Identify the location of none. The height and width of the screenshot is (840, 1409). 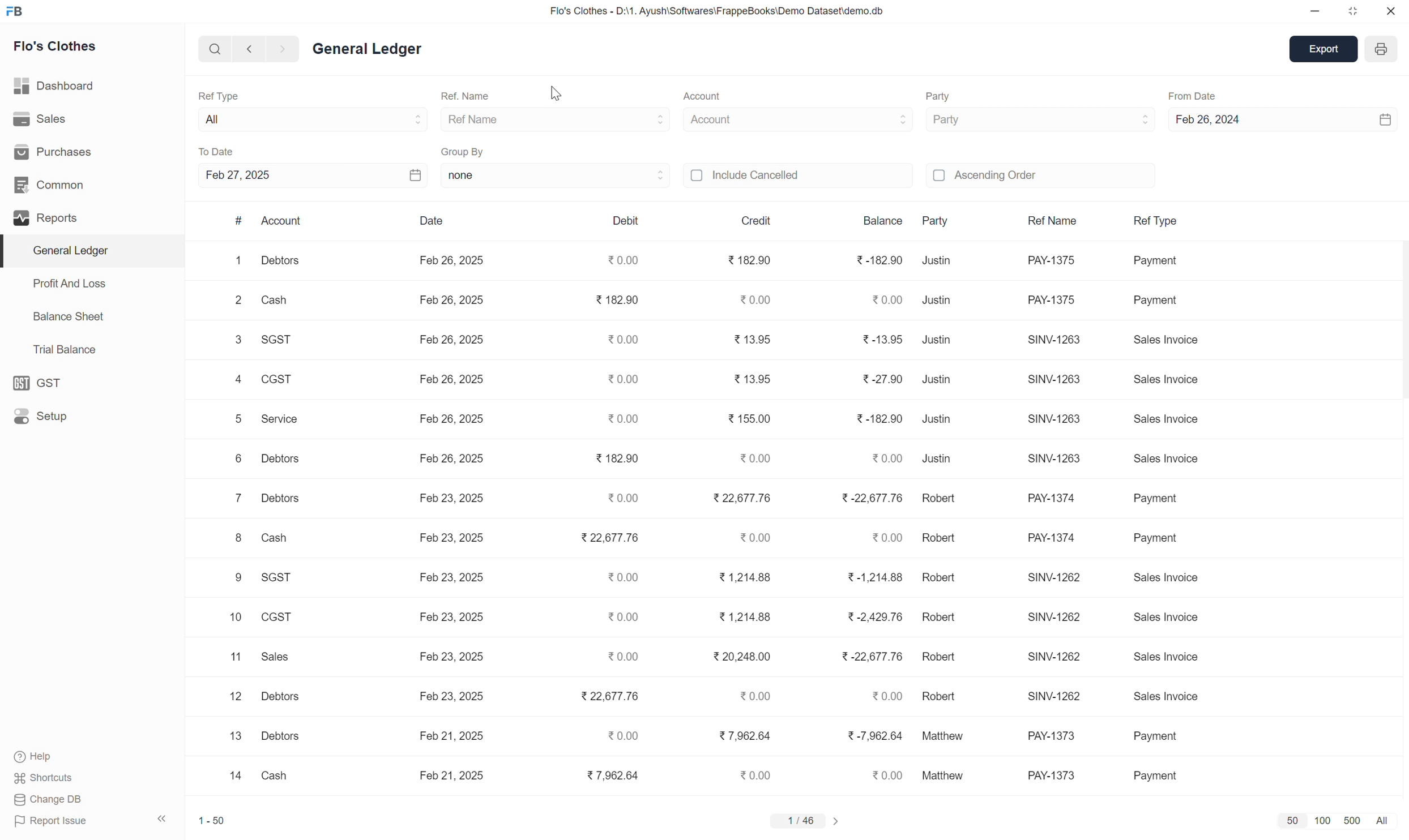
(555, 174).